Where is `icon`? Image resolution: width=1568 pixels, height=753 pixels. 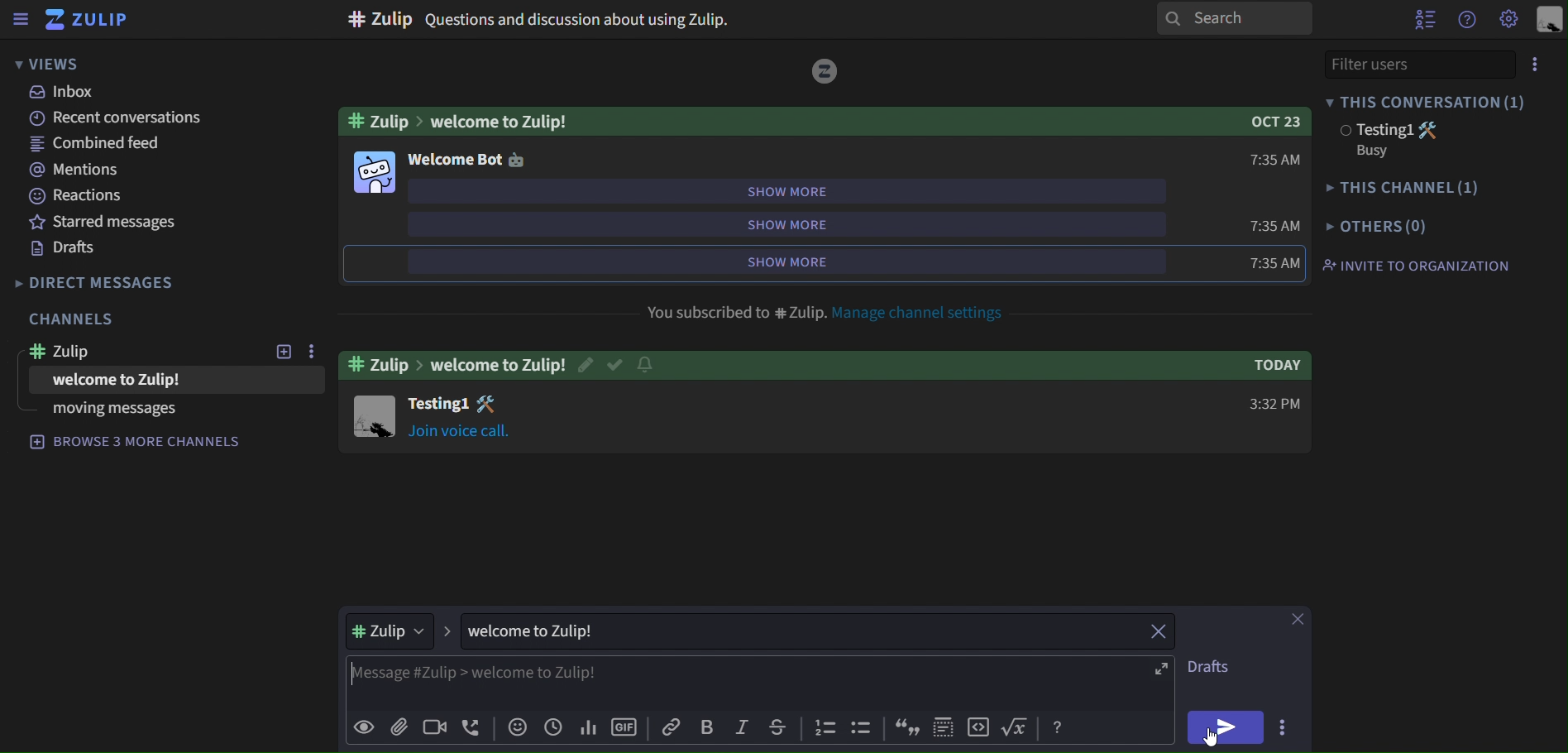 icon is located at coordinates (904, 727).